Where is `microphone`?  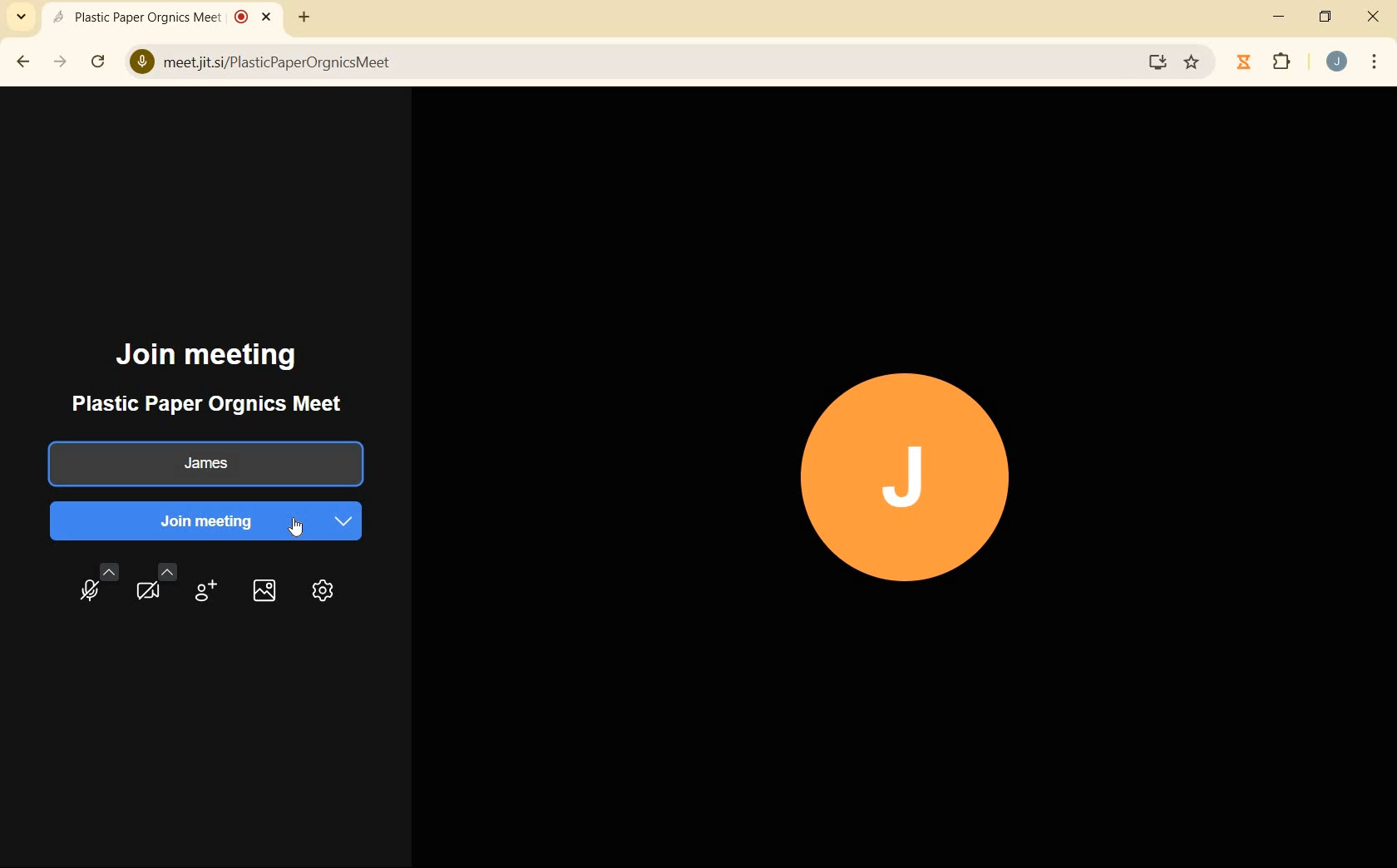 microphone is located at coordinates (98, 586).